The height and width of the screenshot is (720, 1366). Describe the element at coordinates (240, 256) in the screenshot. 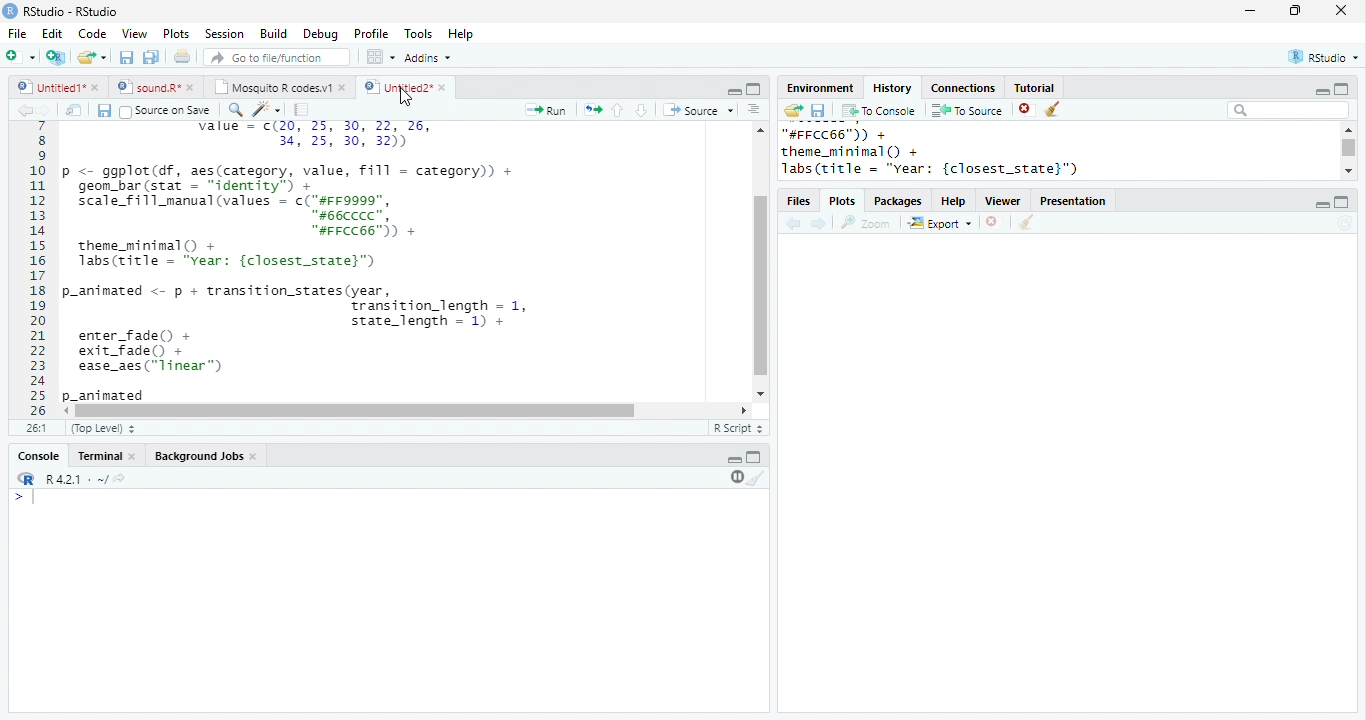

I see `theme_minimal() +labs(title = “Year: {closest_state}”)` at that location.